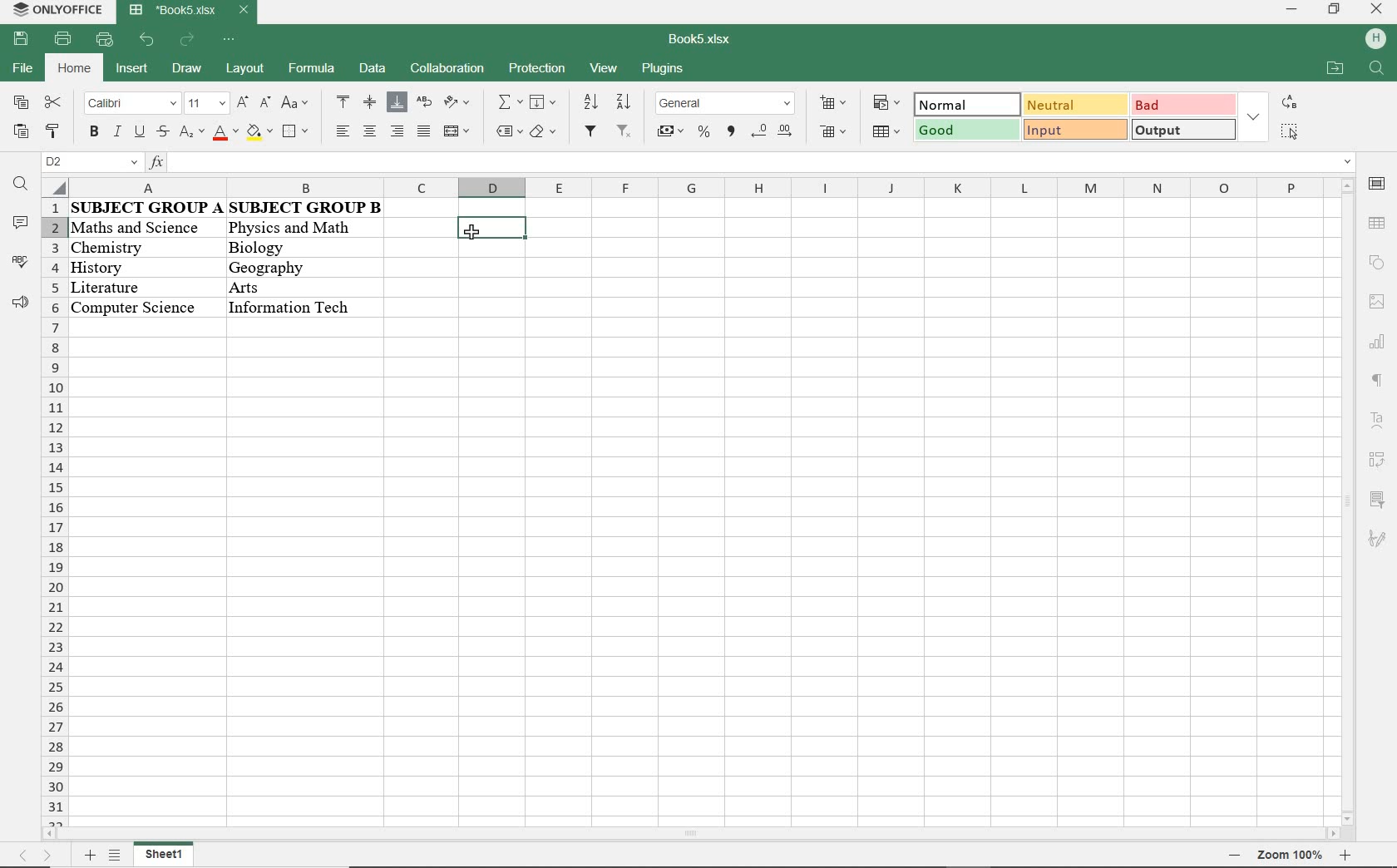 This screenshot has width=1397, height=868. What do you see at coordinates (590, 132) in the screenshot?
I see `filter` at bounding box center [590, 132].